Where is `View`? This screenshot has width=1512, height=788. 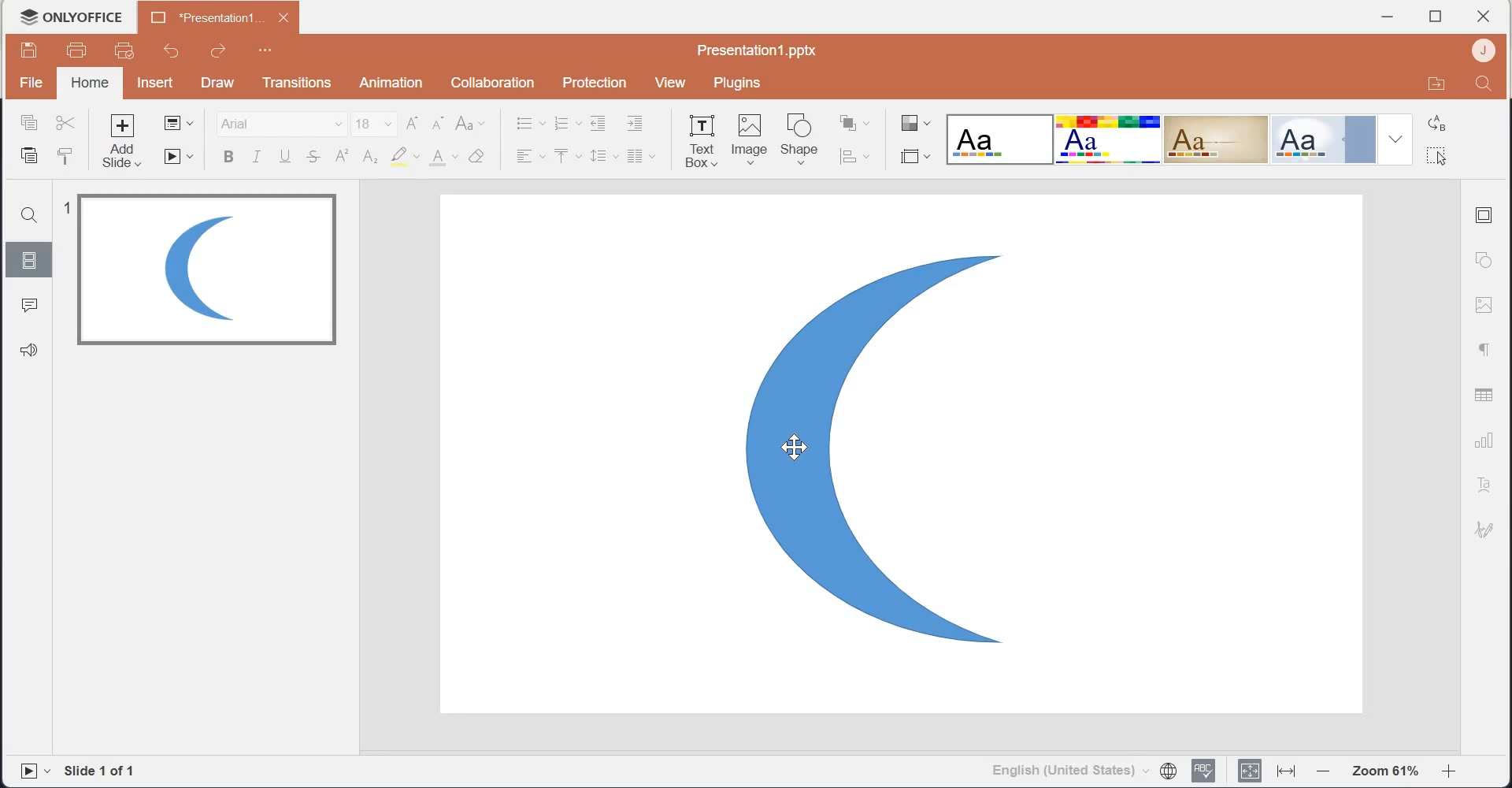 View is located at coordinates (671, 84).